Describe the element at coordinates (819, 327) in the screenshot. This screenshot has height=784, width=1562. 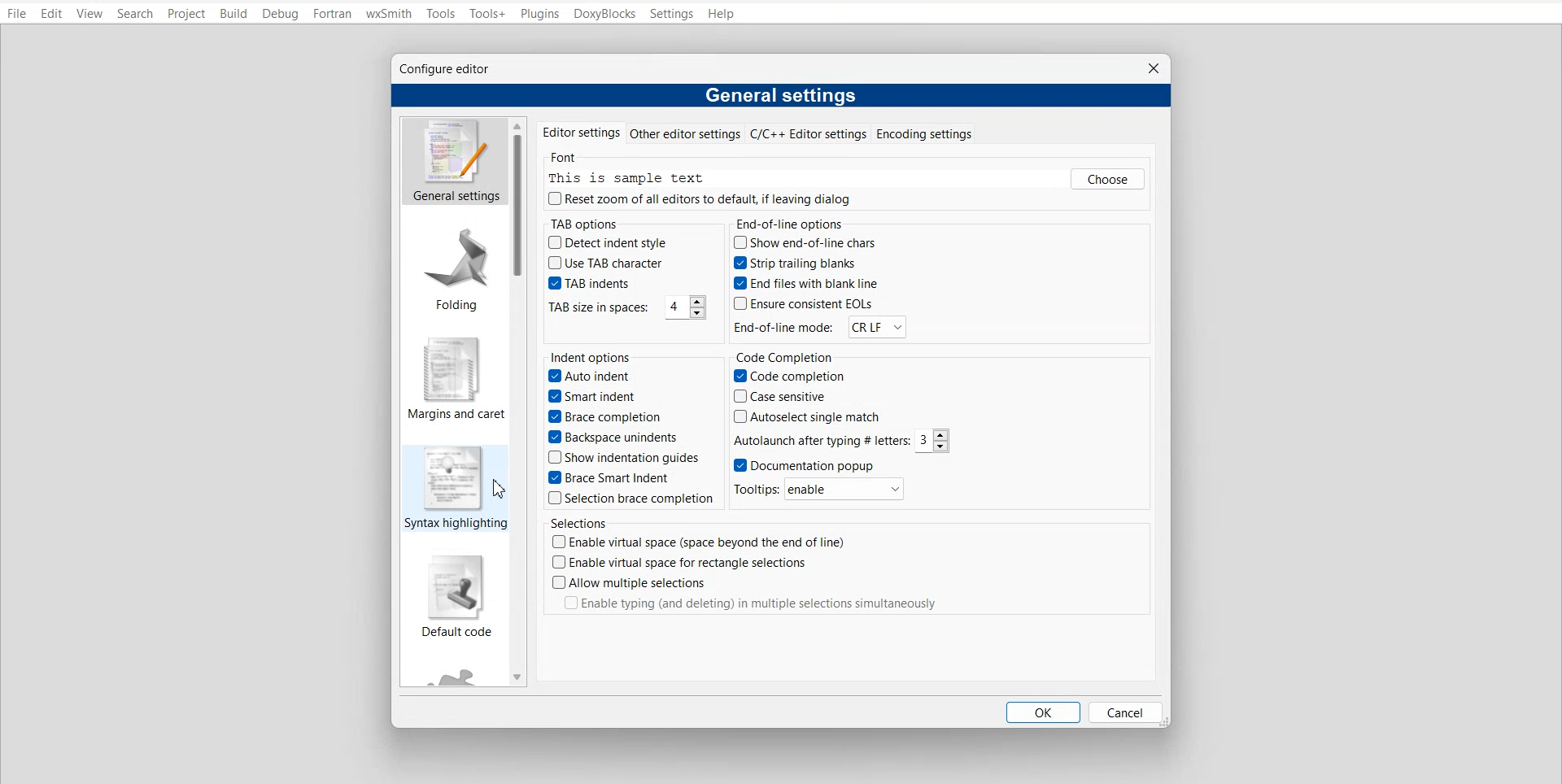
I see `End-of-line mode` at that location.